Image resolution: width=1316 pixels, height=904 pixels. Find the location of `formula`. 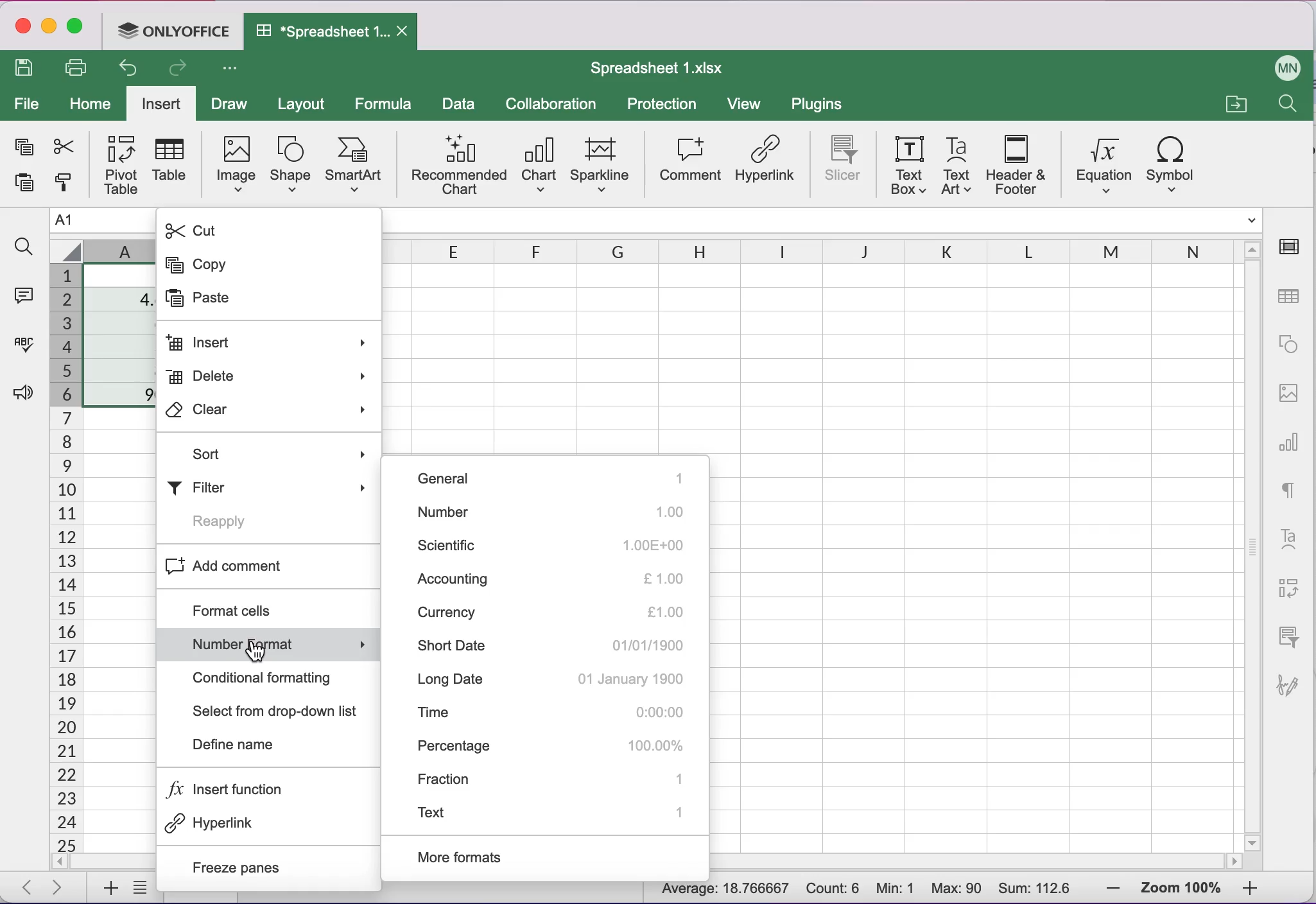

formula is located at coordinates (387, 102).